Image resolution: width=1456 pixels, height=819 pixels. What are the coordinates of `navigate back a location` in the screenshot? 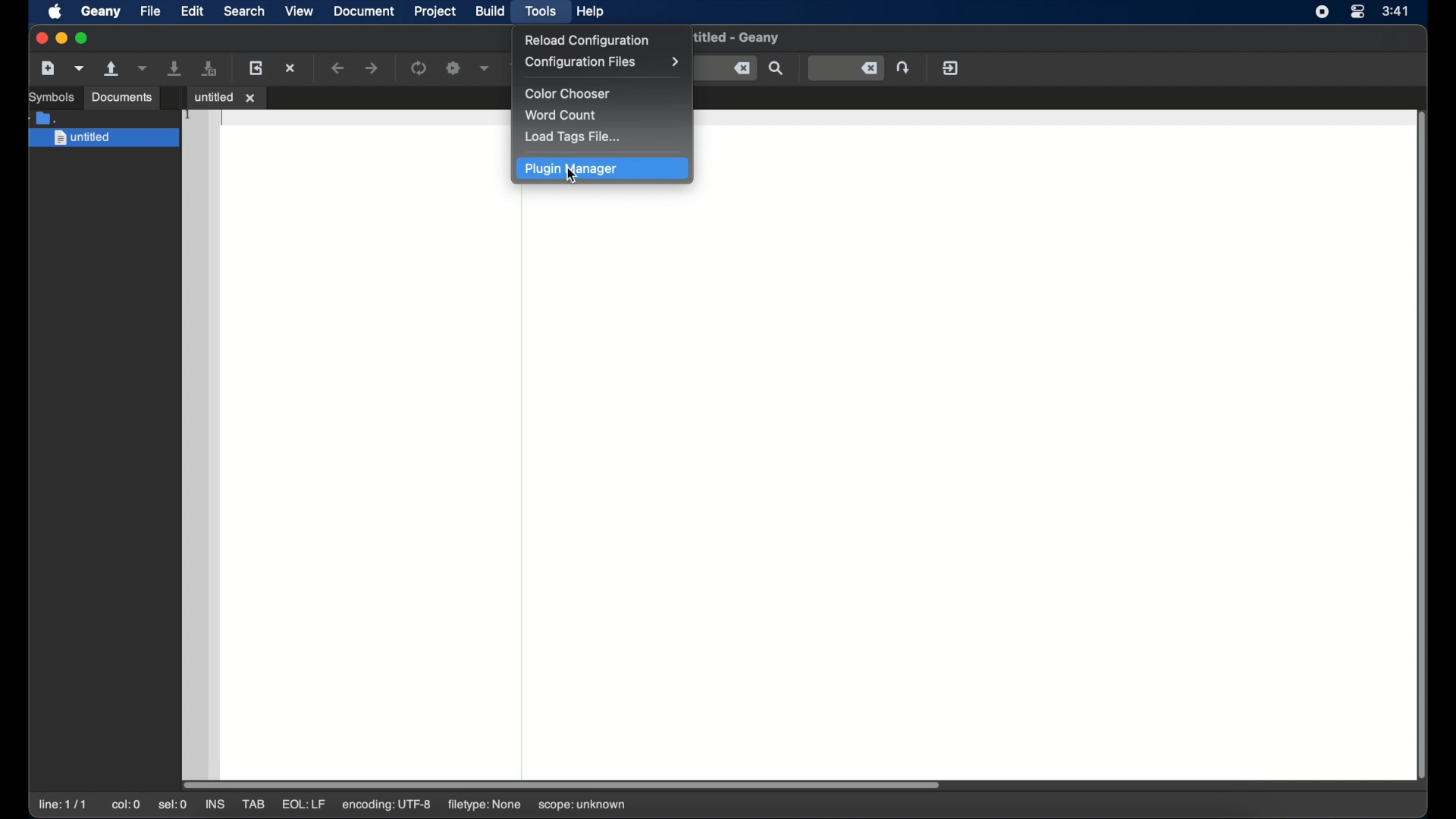 It's located at (339, 68).